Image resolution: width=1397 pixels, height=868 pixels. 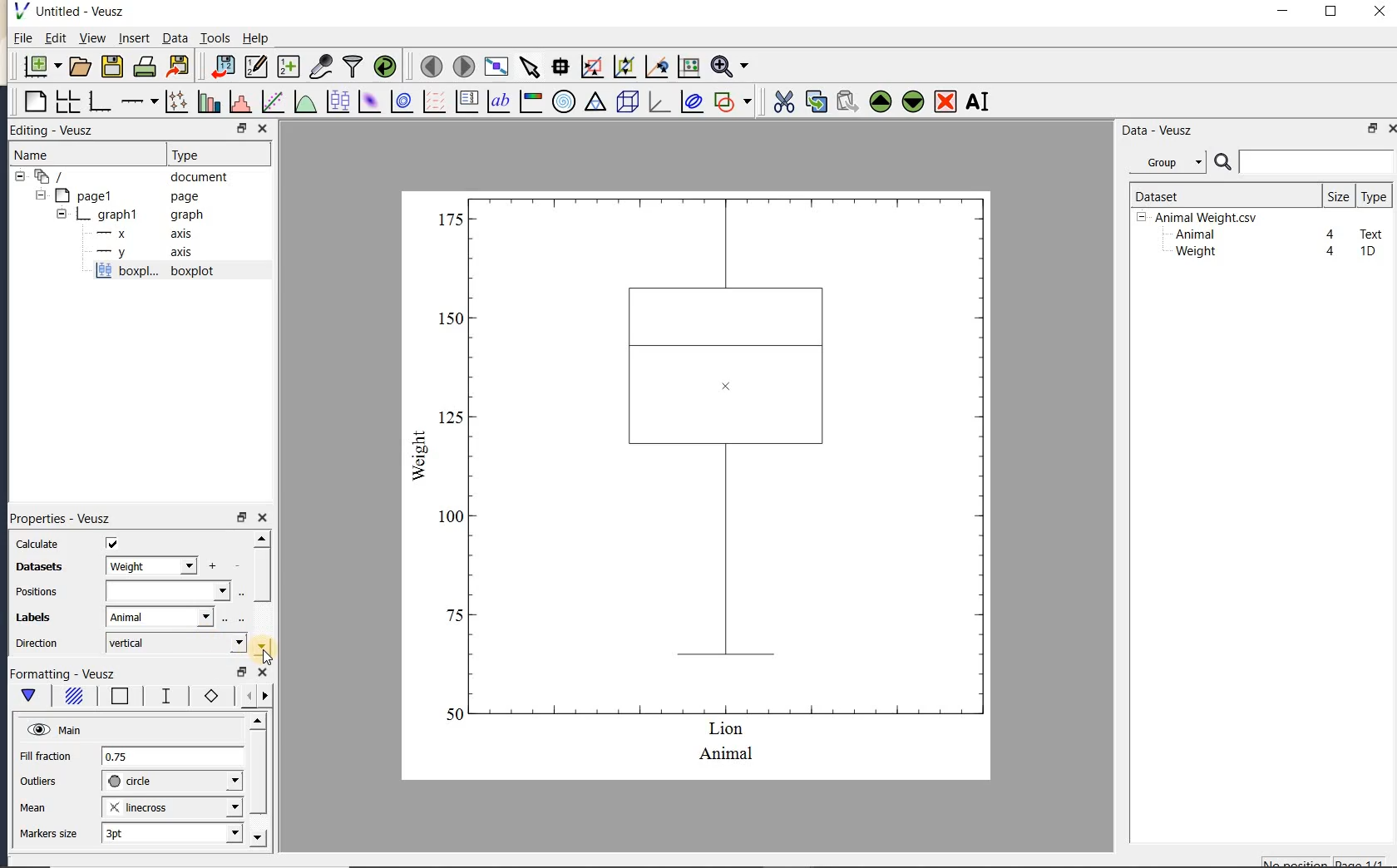 What do you see at coordinates (35, 568) in the screenshot?
I see `datasets` at bounding box center [35, 568].